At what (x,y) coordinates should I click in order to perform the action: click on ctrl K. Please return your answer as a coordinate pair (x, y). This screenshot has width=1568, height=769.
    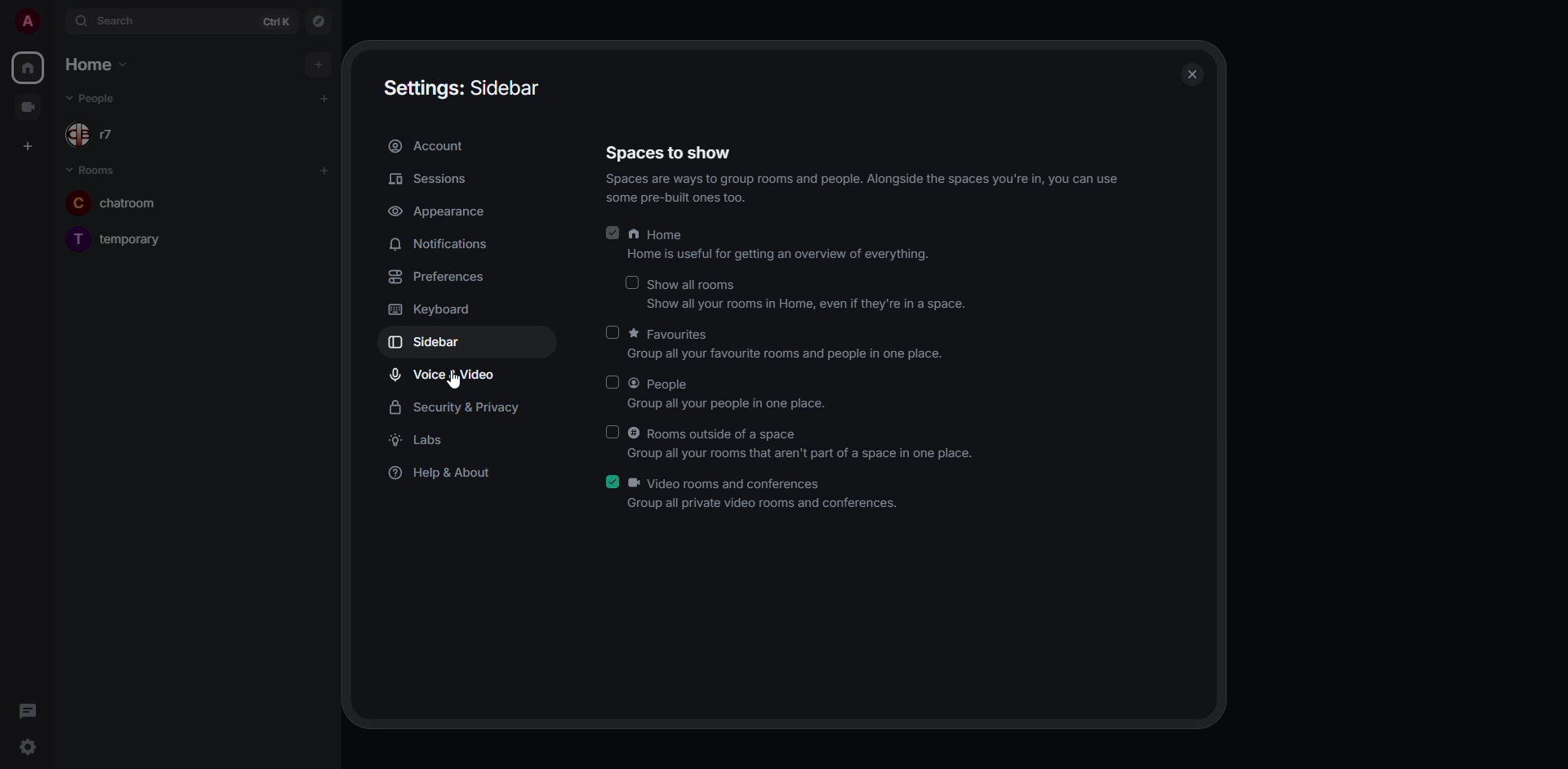
    Looking at the image, I should click on (275, 21).